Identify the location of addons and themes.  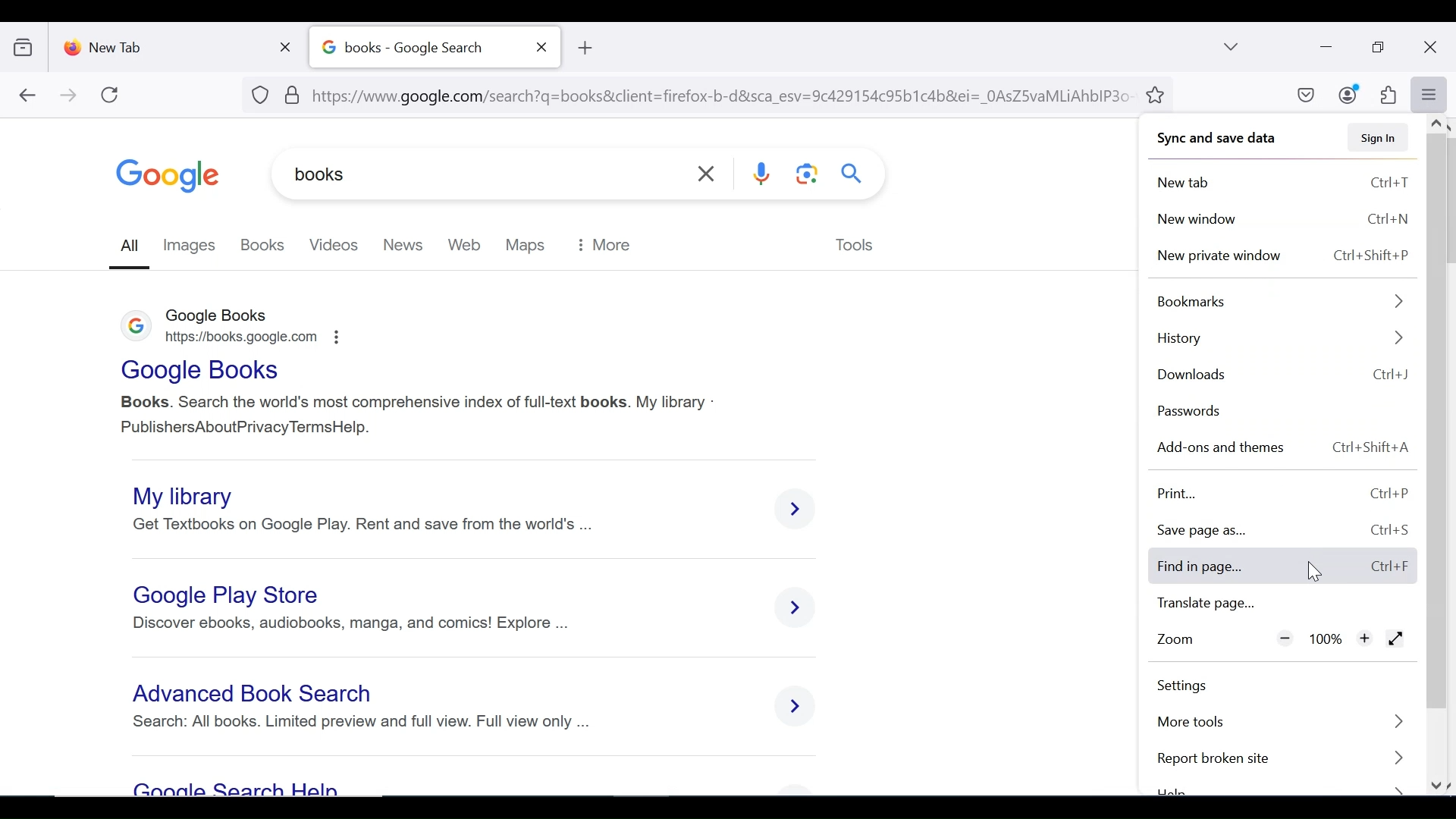
(1284, 447).